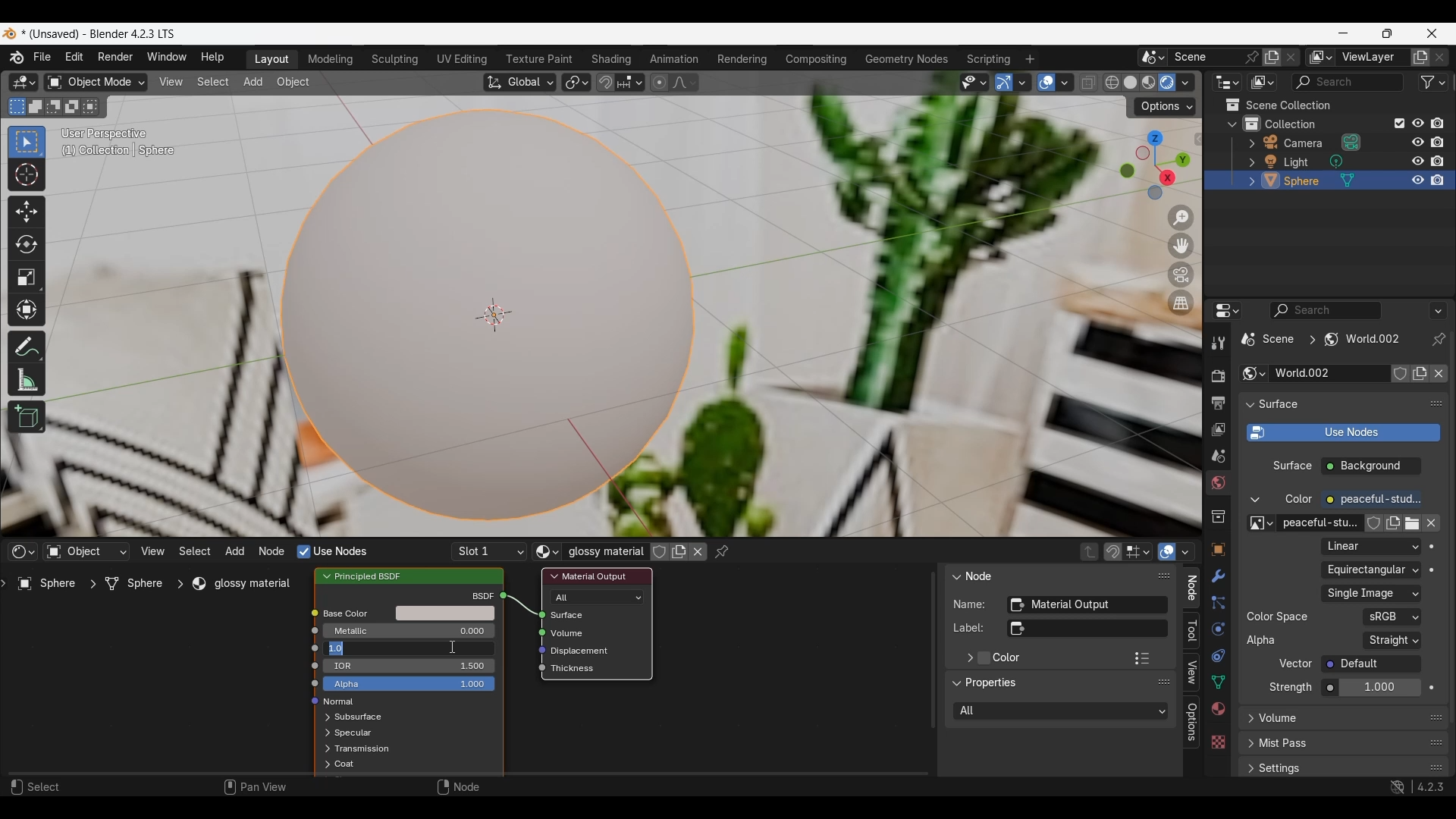 This screenshot has height=819, width=1456. Describe the element at coordinates (974, 83) in the screenshot. I see `Selectability and visibility options` at that location.